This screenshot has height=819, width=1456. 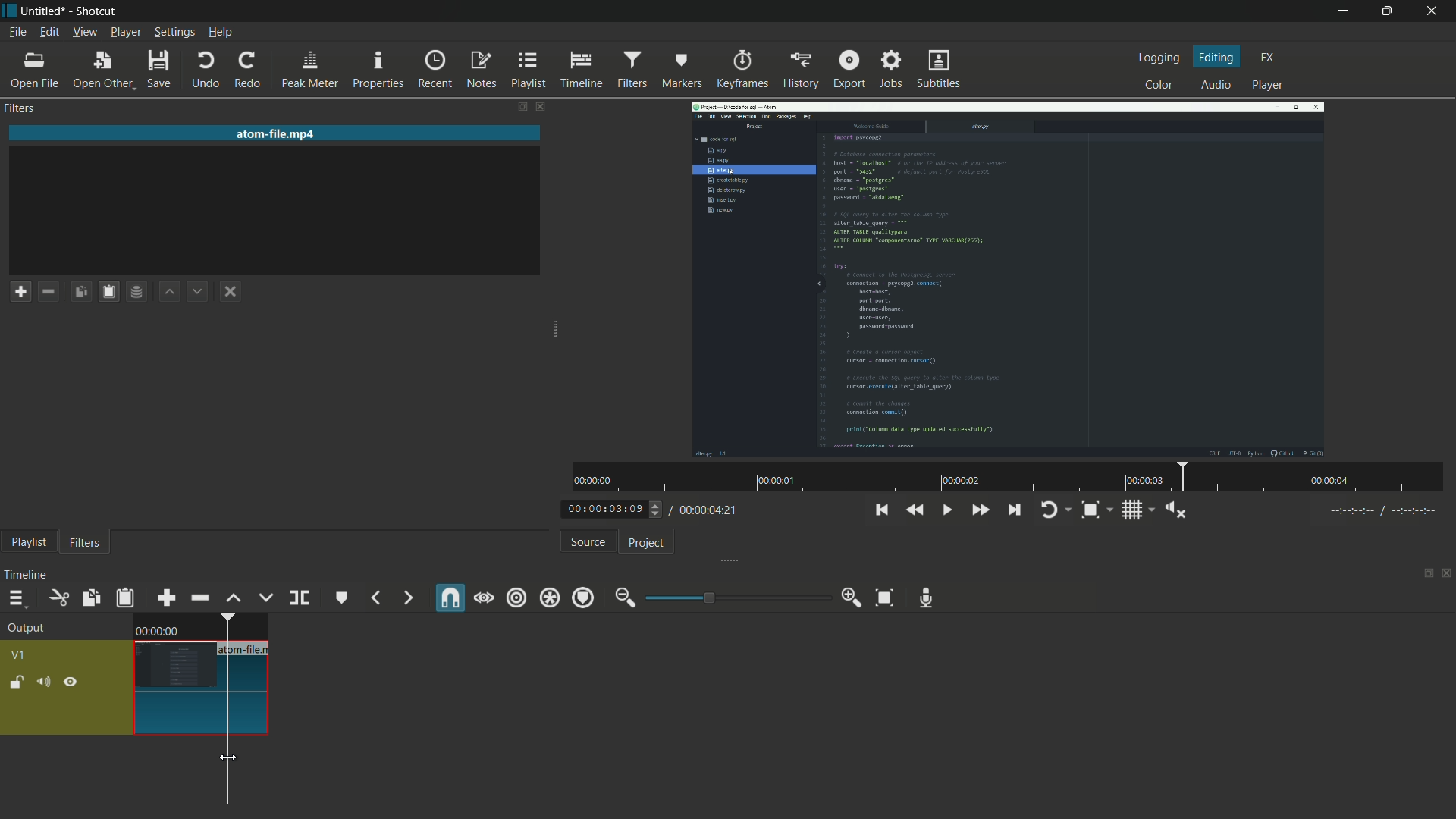 What do you see at coordinates (58, 598) in the screenshot?
I see `cut` at bounding box center [58, 598].